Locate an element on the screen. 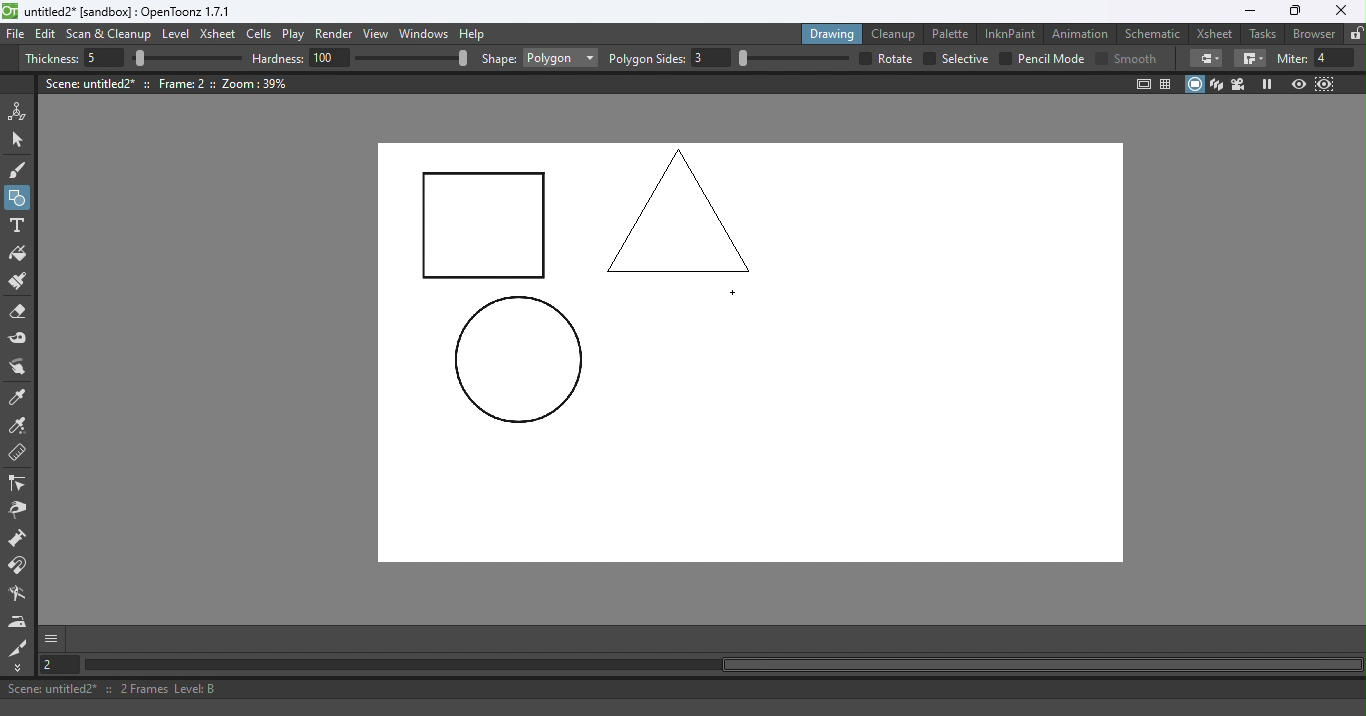  3 is located at coordinates (712, 58).